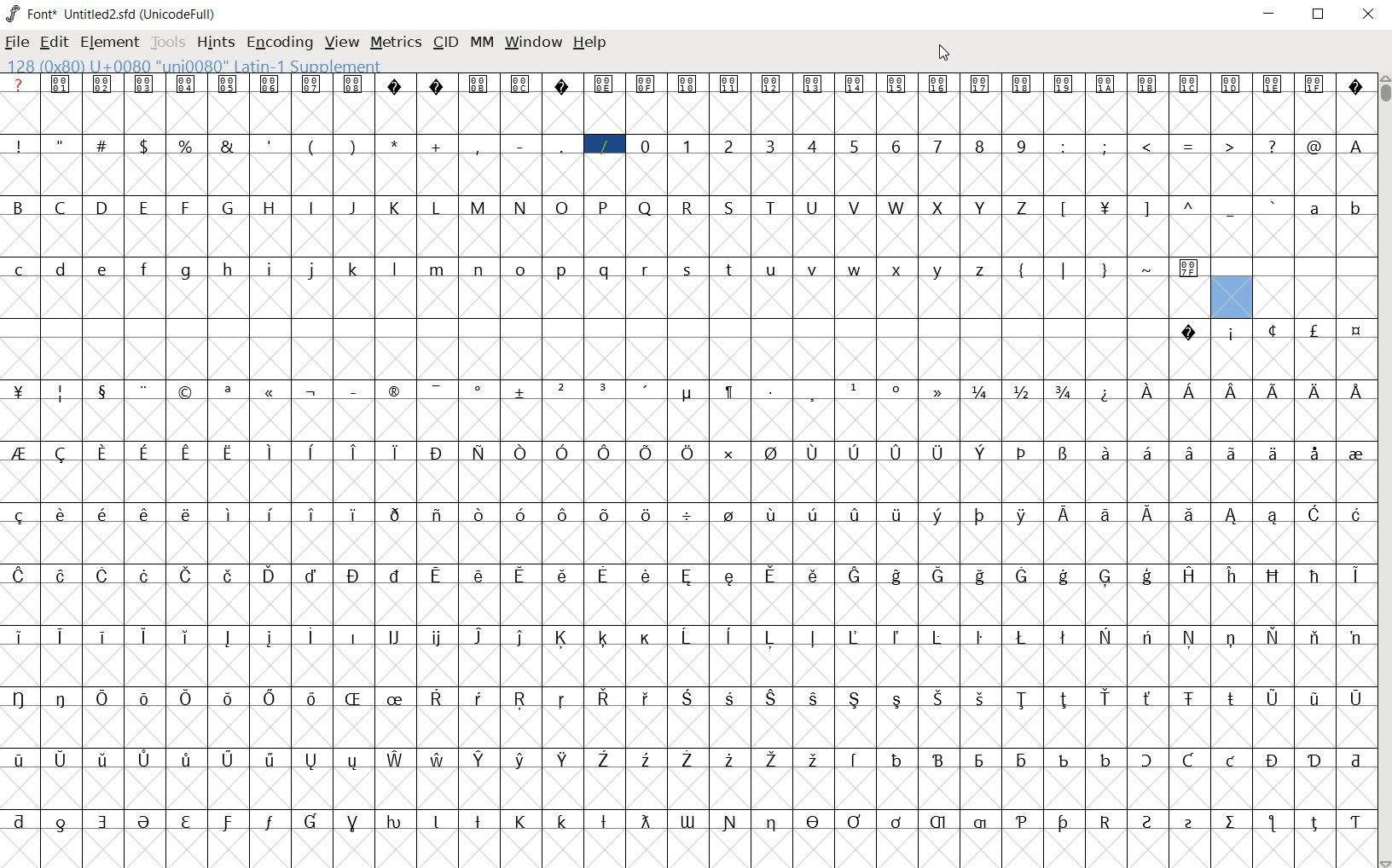 Image resolution: width=1392 pixels, height=868 pixels. I want to click on glyph, so click(270, 514).